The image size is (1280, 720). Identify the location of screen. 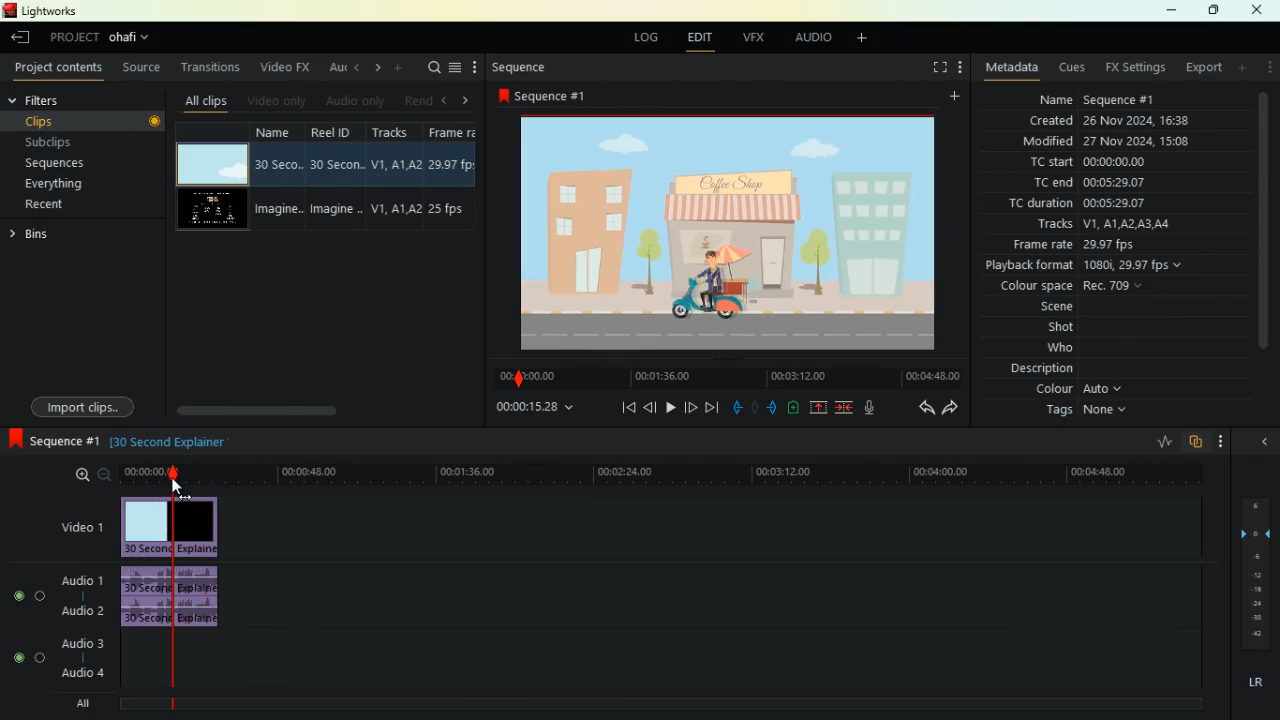
(936, 69).